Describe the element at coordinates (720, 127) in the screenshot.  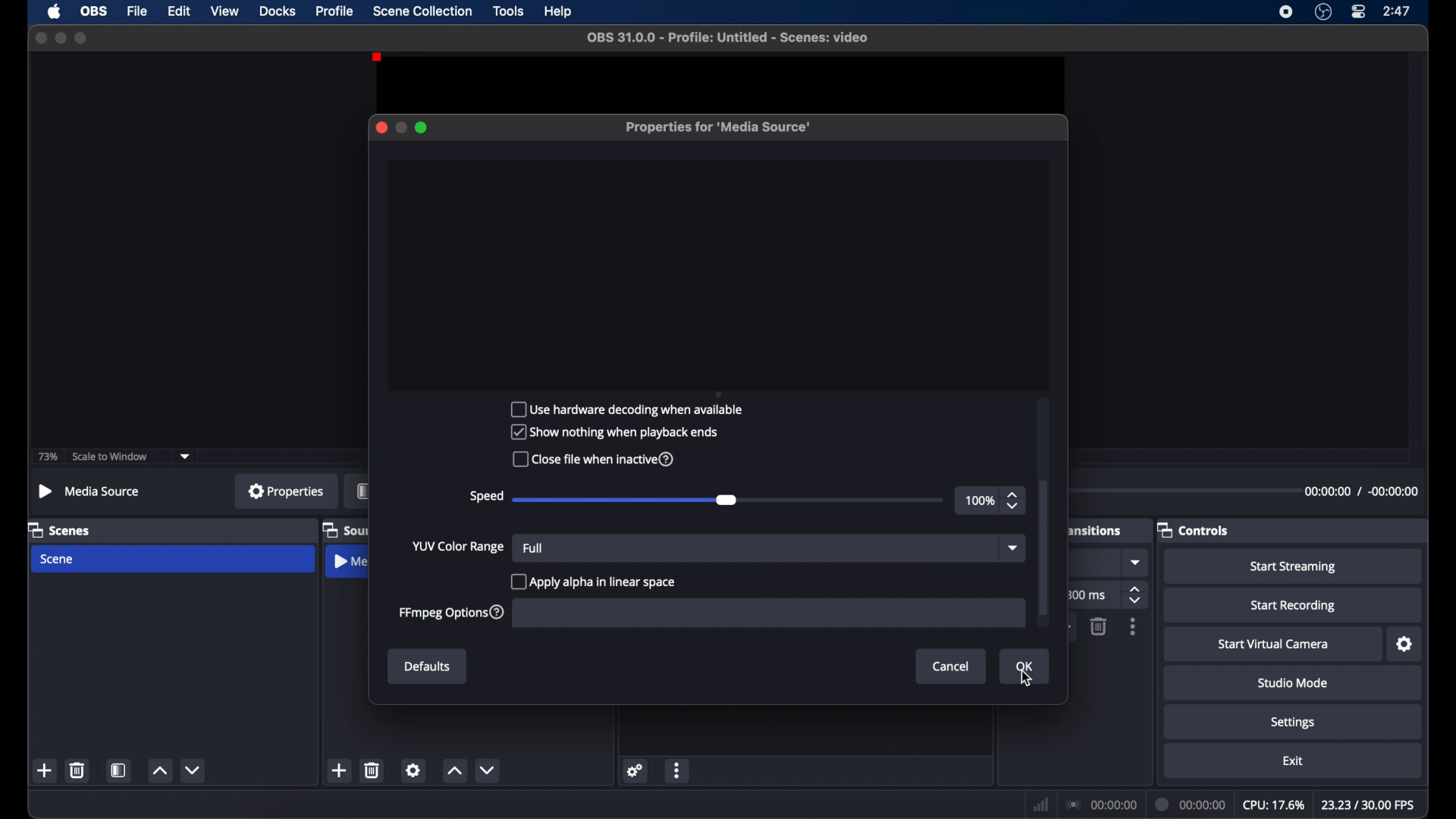
I see `properties for media source` at that location.